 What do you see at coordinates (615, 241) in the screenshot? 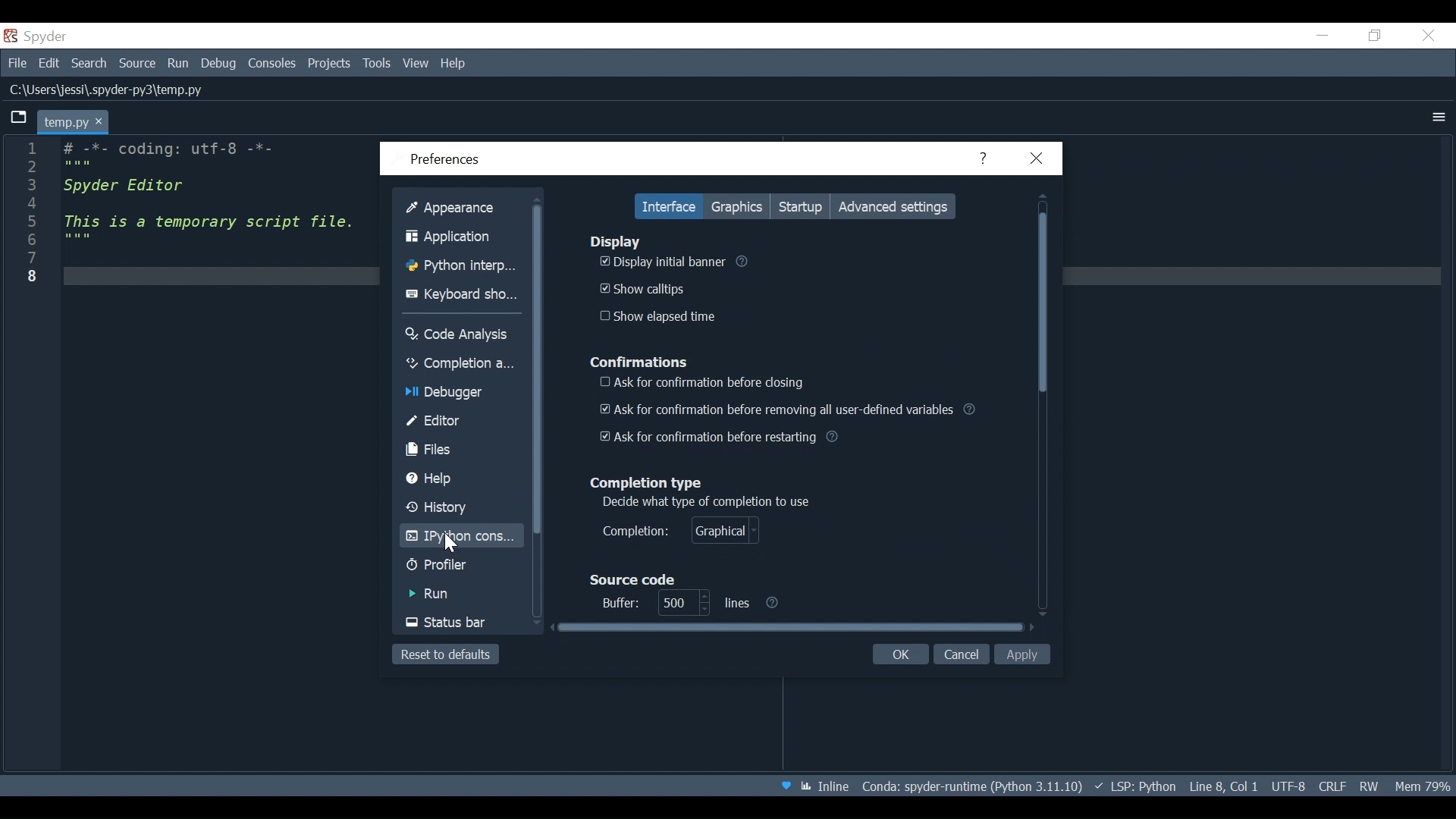
I see `Display` at bounding box center [615, 241].